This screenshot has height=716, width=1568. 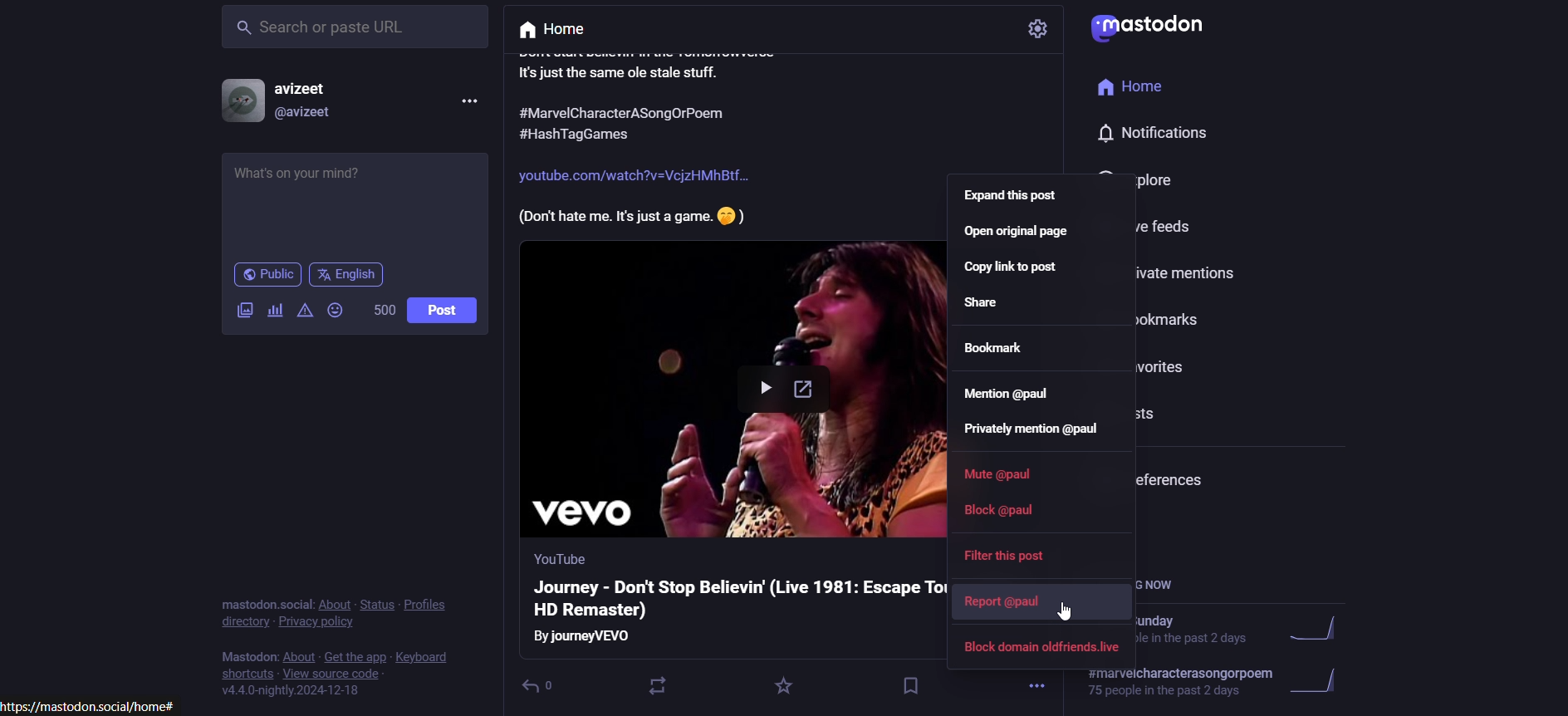 What do you see at coordinates (1038, 683) in the screenshot?
I see `more` at bounding box center [1038, 683].